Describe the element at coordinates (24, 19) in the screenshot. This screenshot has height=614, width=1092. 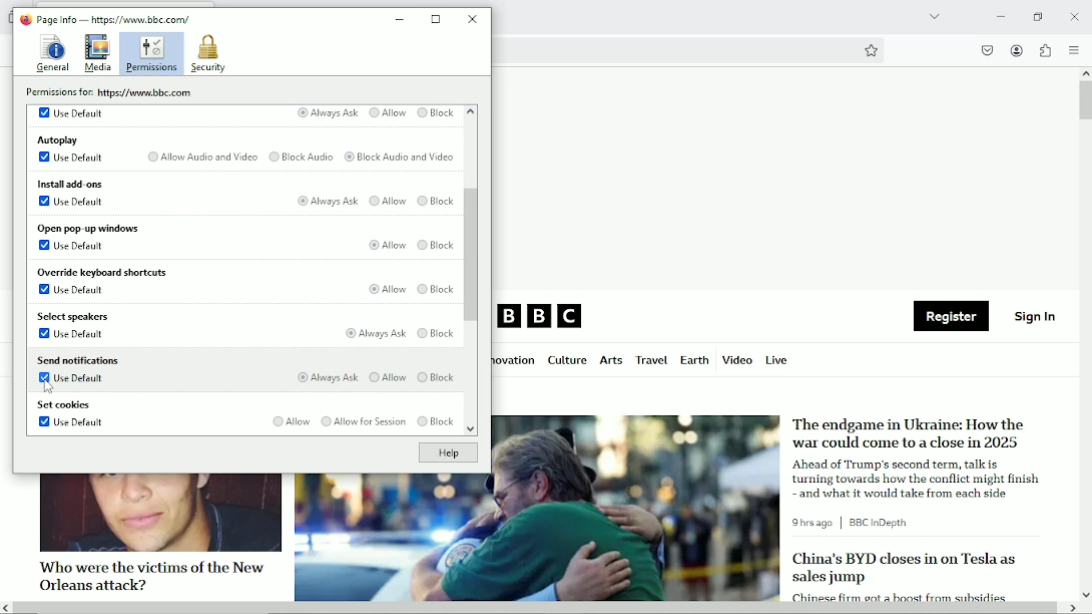
I see `logo` at that location.